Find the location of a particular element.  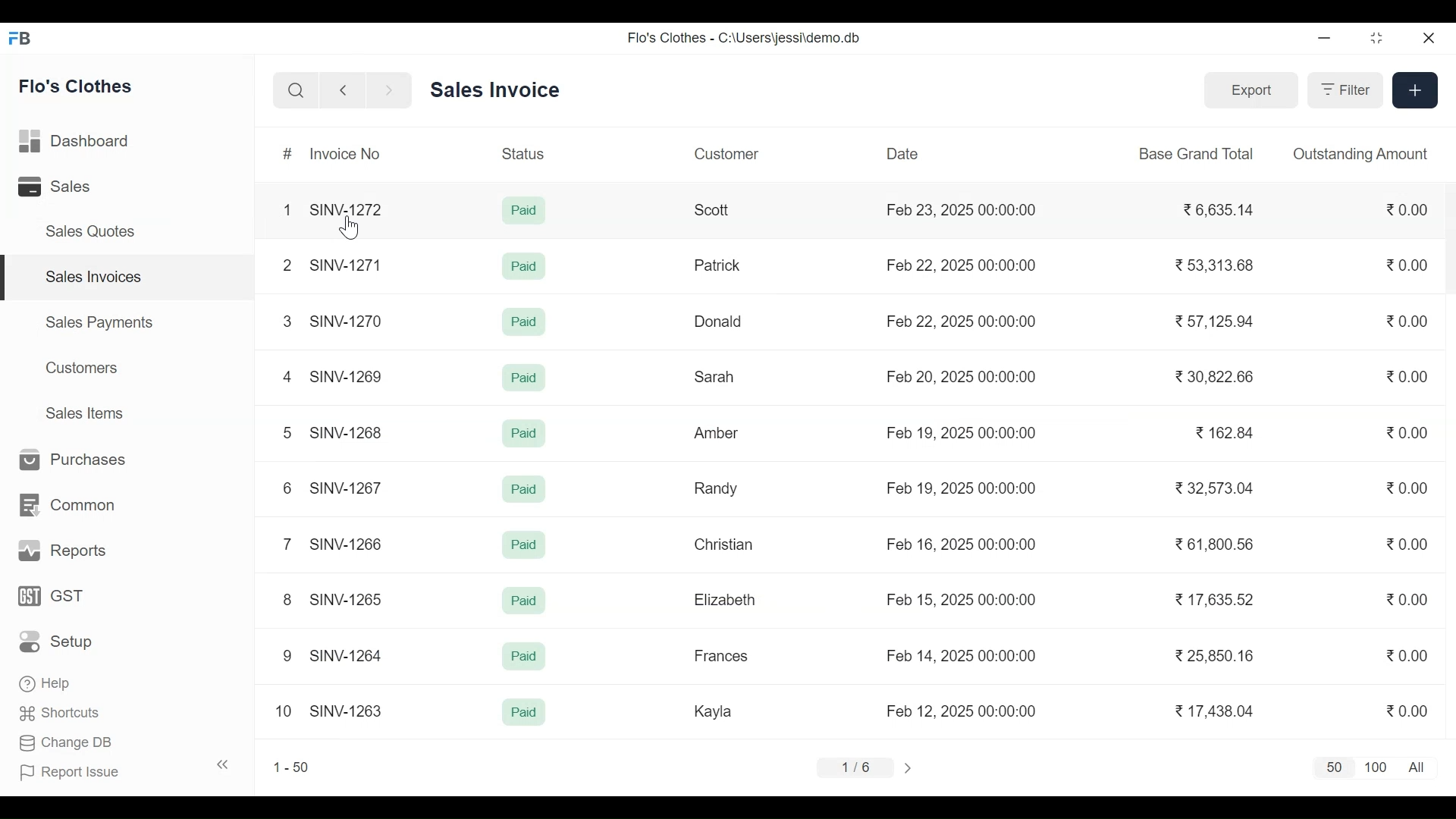

SINV-1270 is located at coordinates (344, 322).